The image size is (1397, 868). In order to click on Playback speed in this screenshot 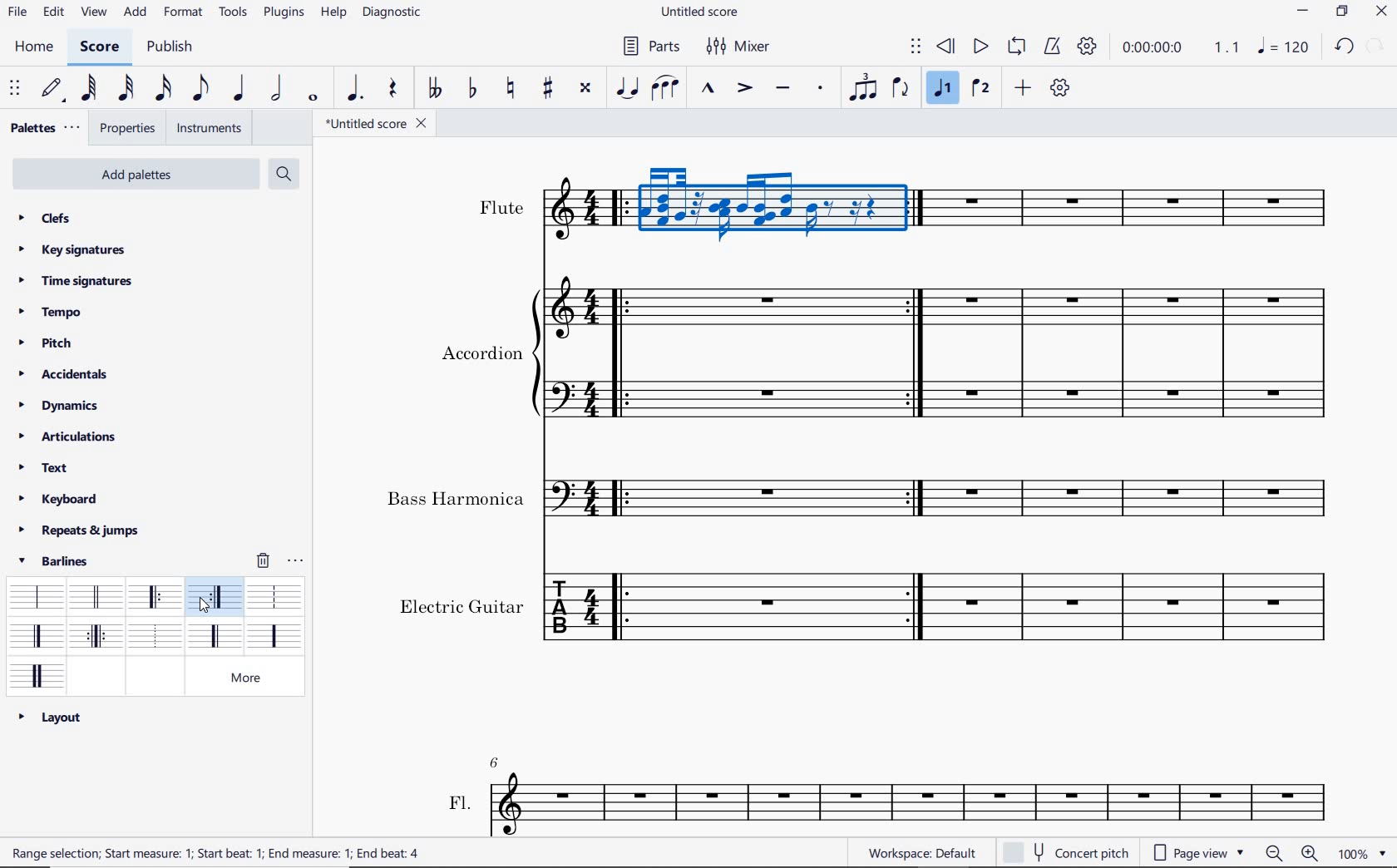, I will do `click(1228, 47)`.